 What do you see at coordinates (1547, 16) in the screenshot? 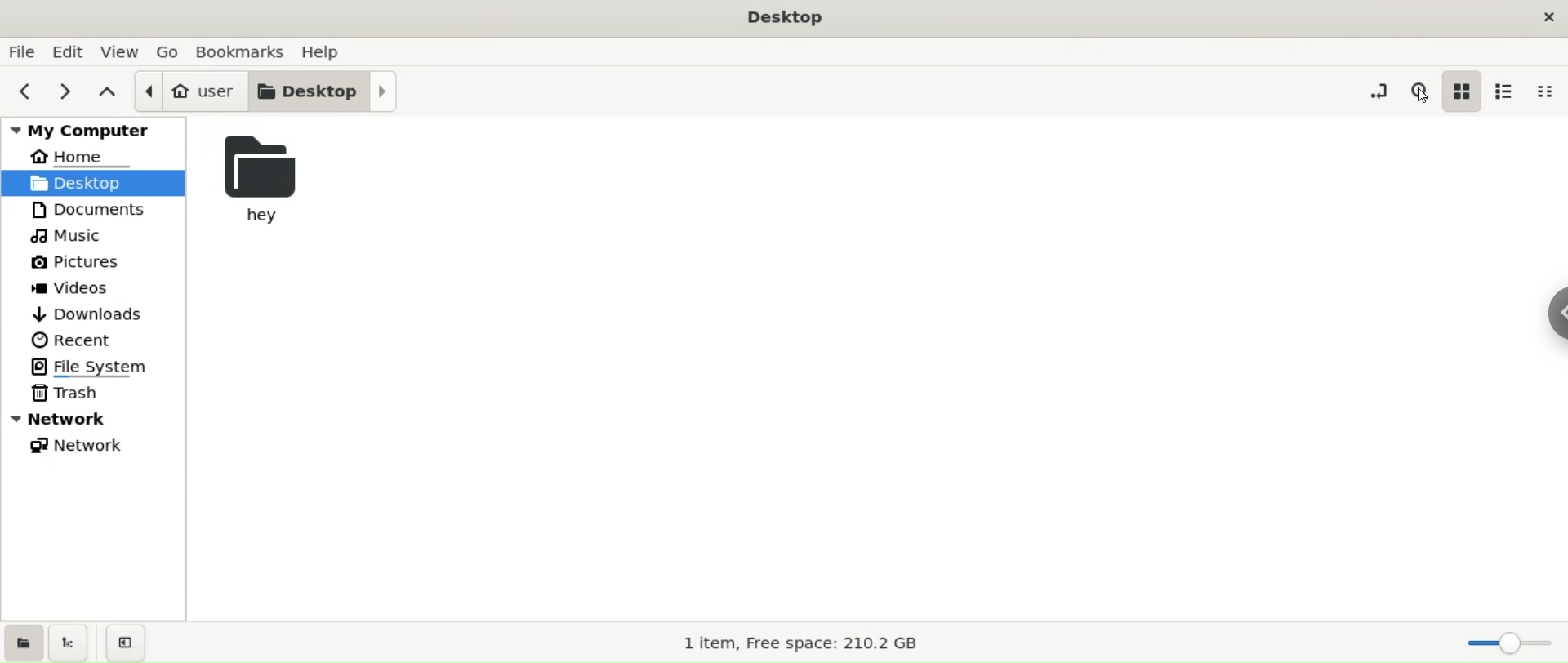
I see `close` at bounding box center [1547, 16].